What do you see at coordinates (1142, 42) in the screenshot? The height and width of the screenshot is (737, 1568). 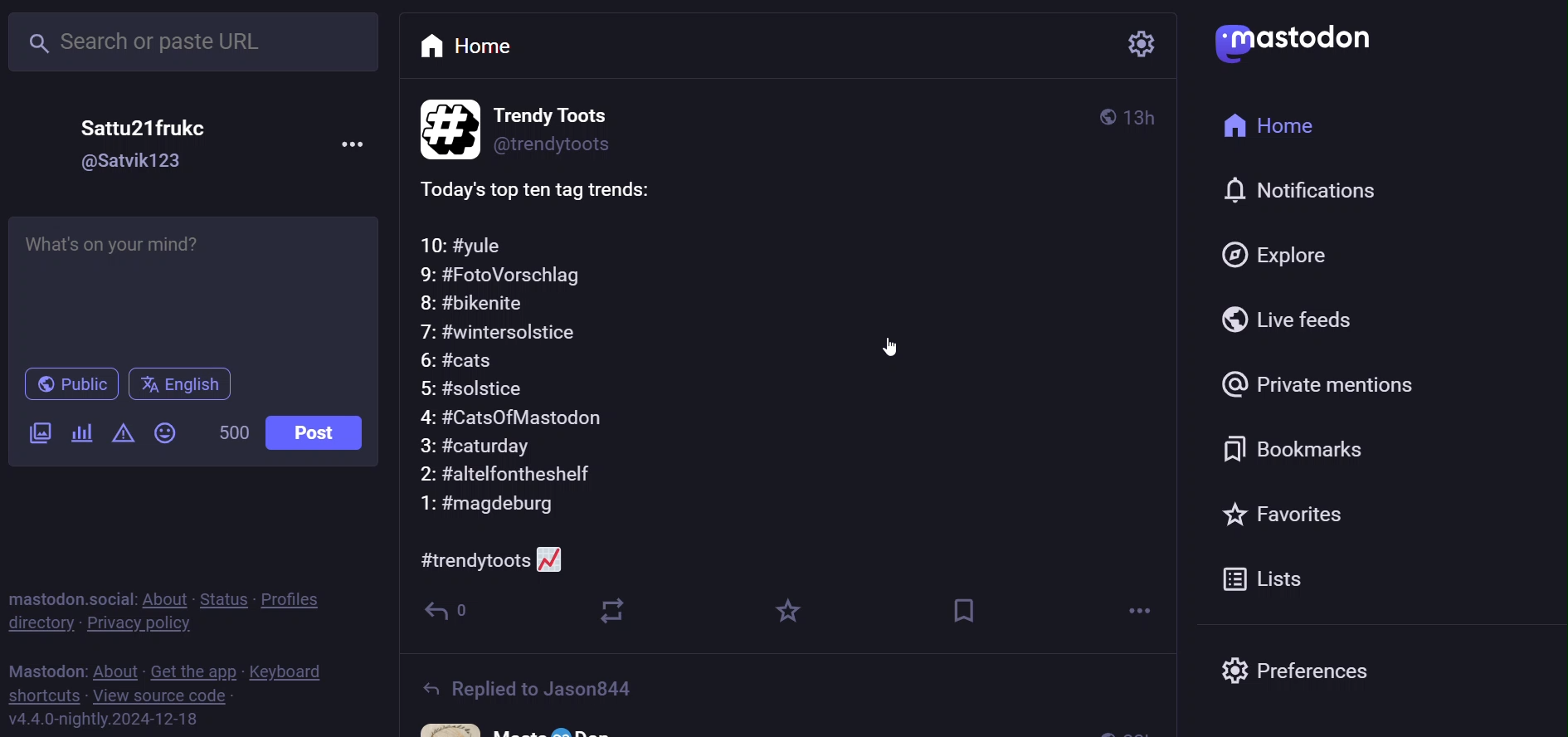 I see `setting` at bounding box center [1142, 42].